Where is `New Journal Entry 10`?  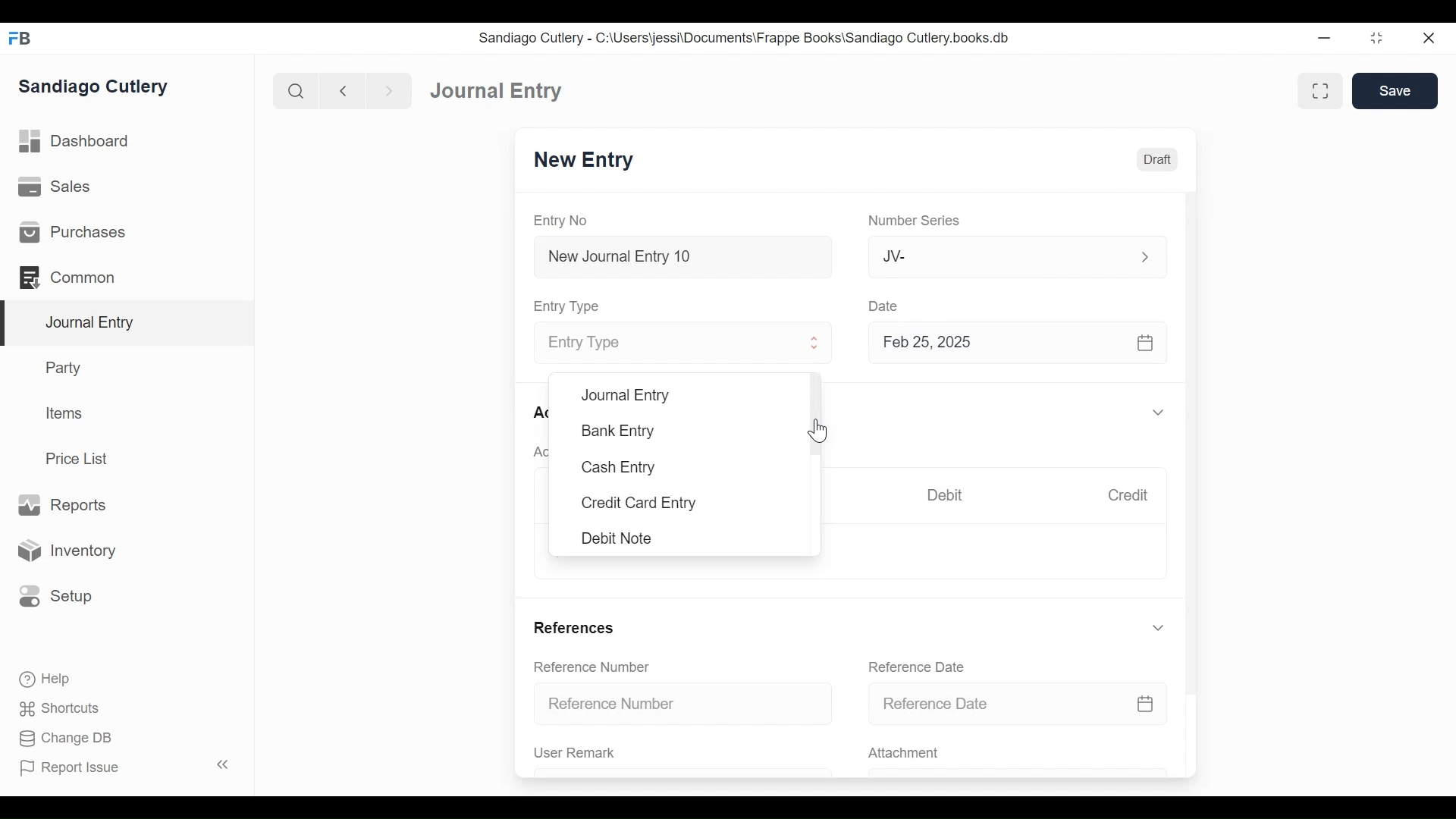
New Journal Entry 10 is located at coordinates (682, 256).